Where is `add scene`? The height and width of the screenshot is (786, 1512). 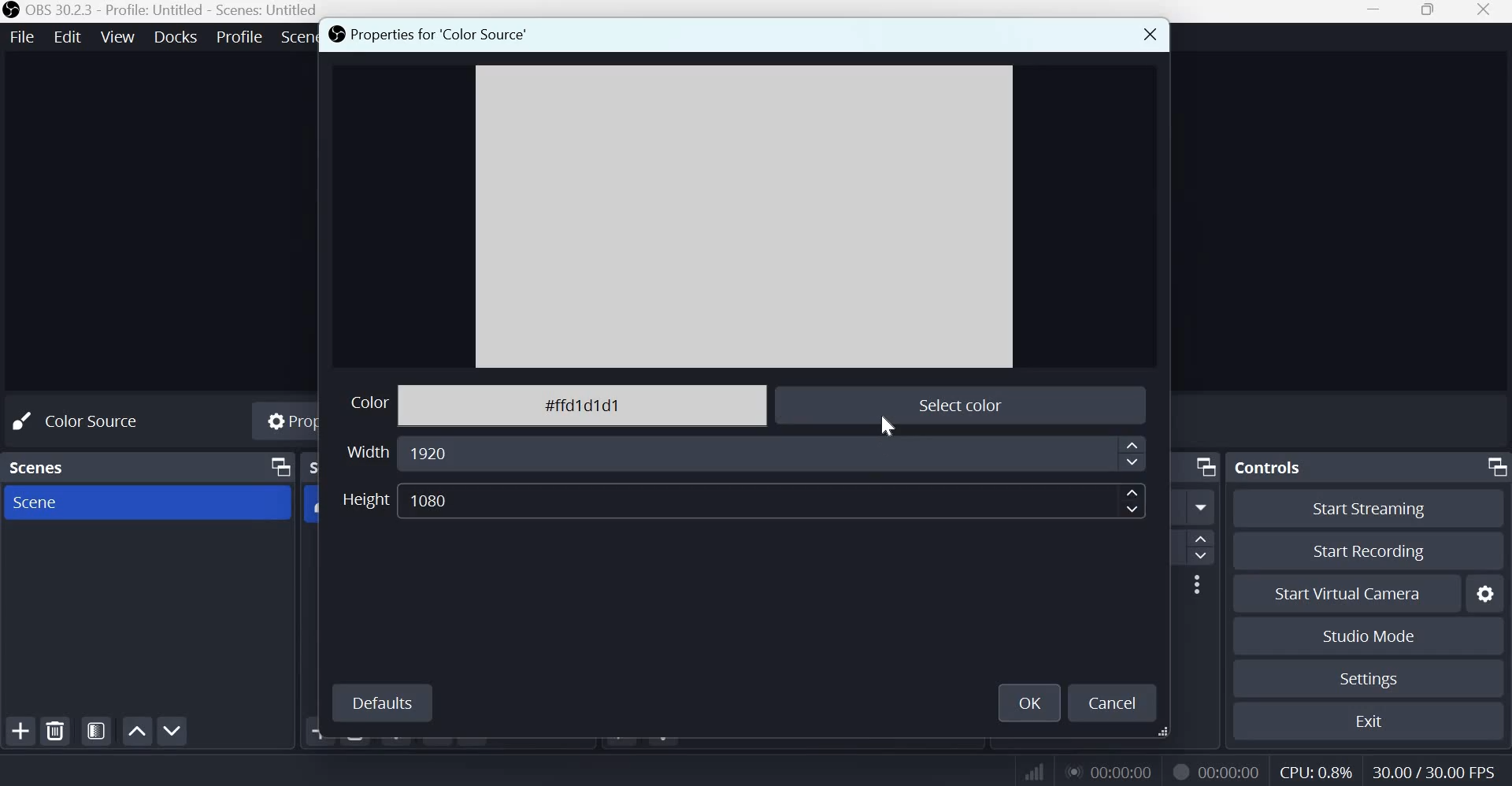 add scene is located at coordinates (20, 731).